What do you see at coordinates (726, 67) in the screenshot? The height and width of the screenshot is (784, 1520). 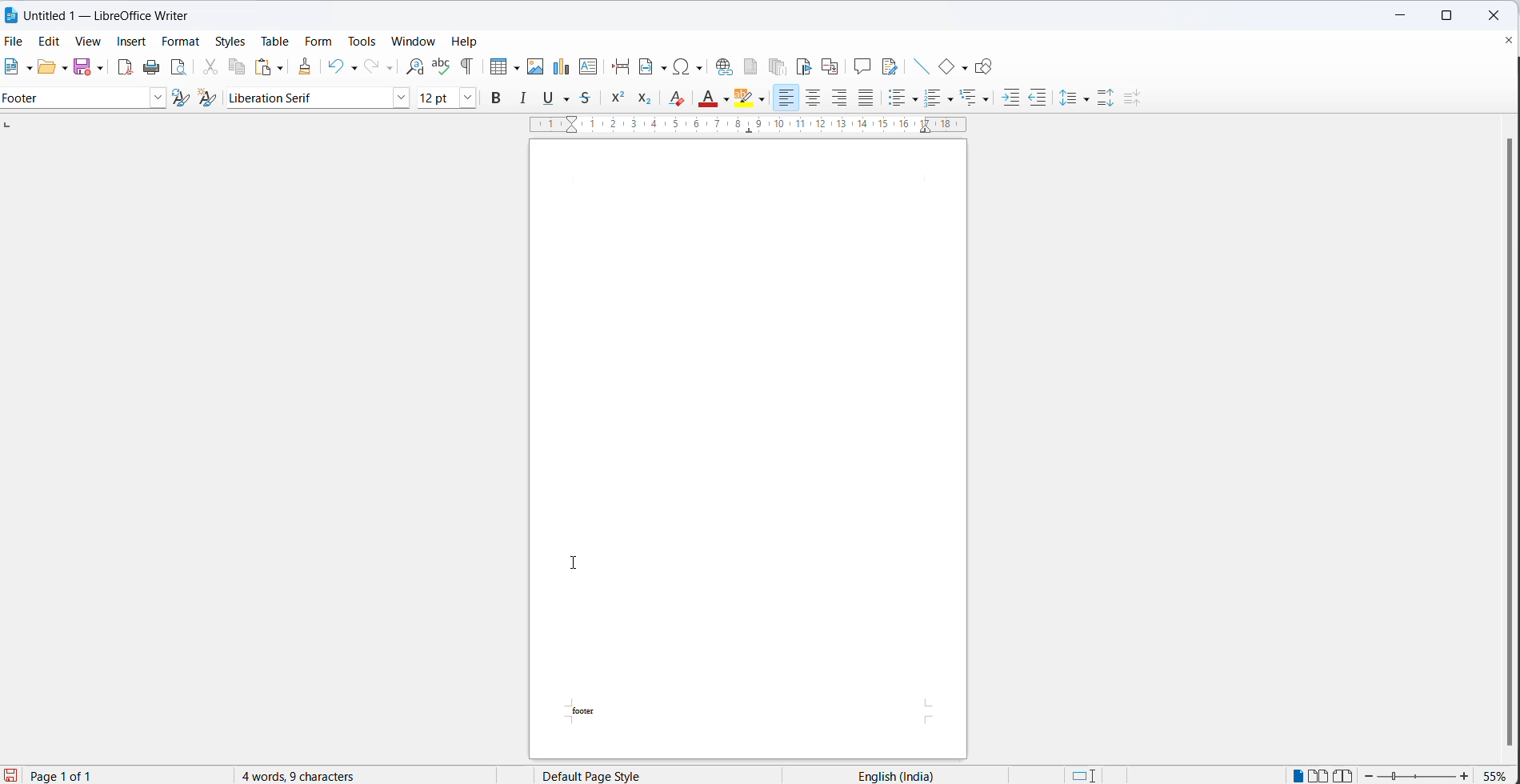 I see `insert hyperlinks` at bounding box center [726, 67].